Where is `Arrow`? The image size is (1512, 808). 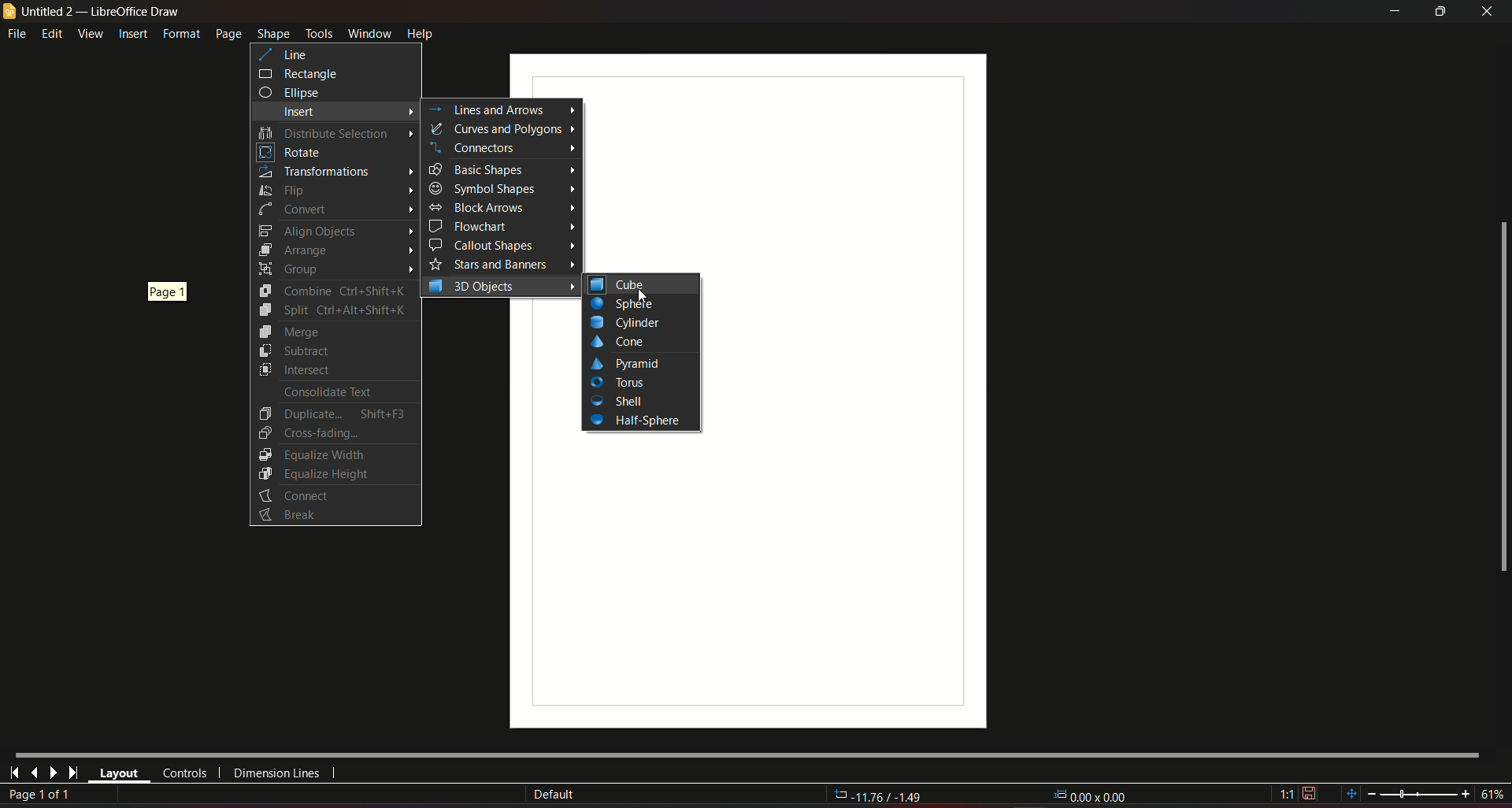
Arrow is located at coordinates (571, 168).